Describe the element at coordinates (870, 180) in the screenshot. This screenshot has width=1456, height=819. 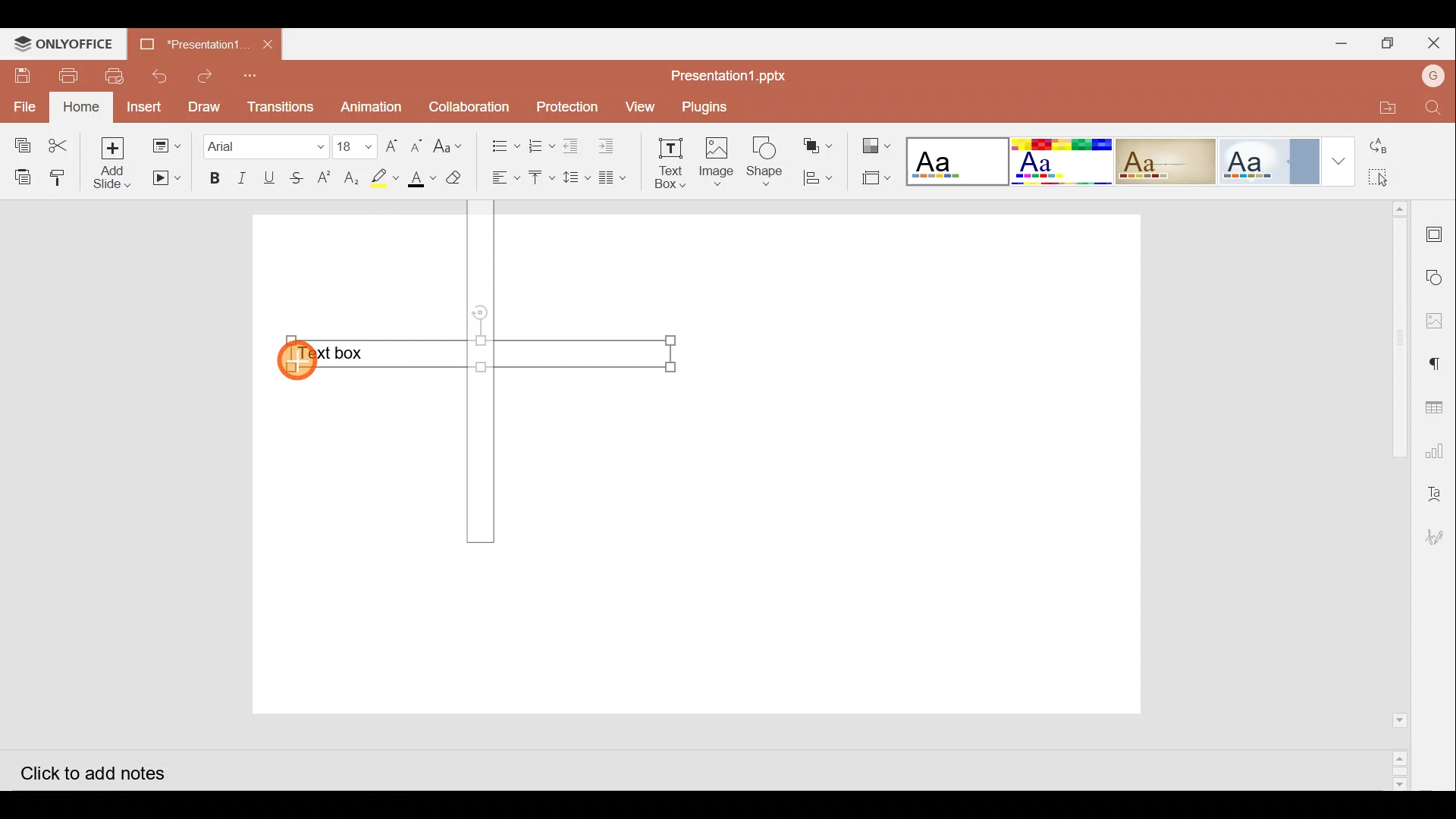
I see `Select slide size` at that location.